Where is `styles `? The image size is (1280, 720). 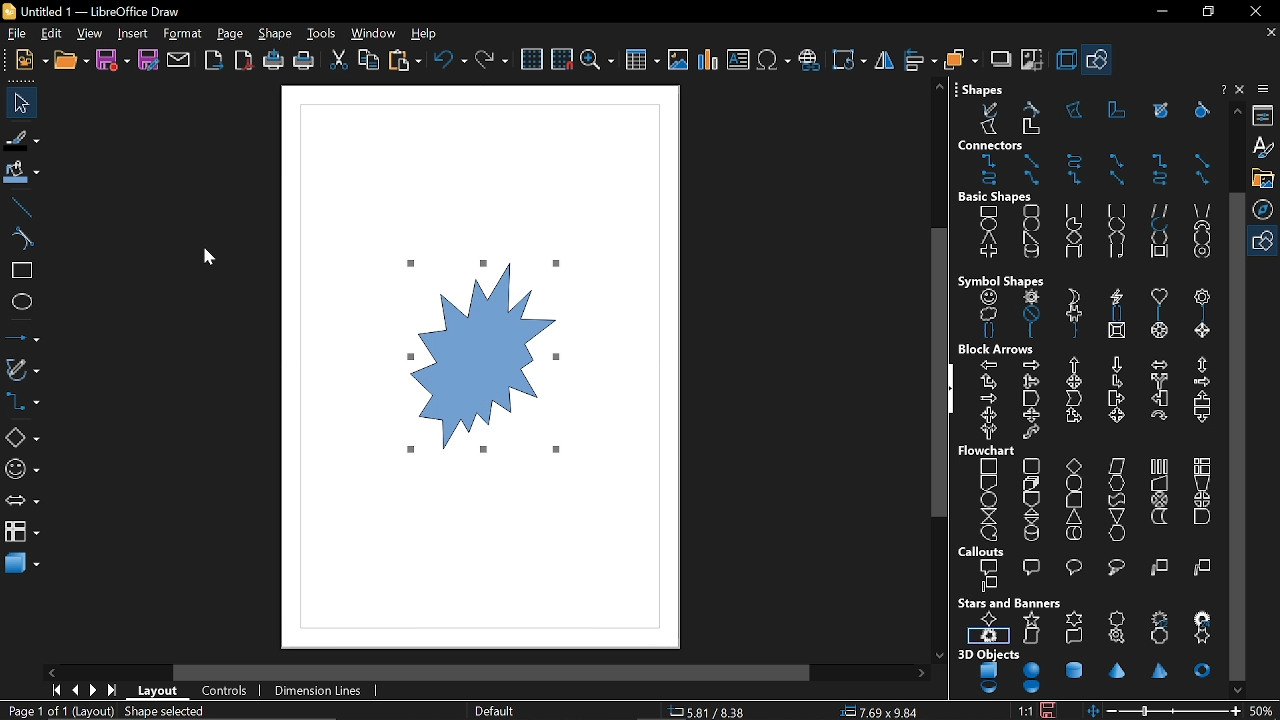 styles  is located at coordinates (1266, 147).